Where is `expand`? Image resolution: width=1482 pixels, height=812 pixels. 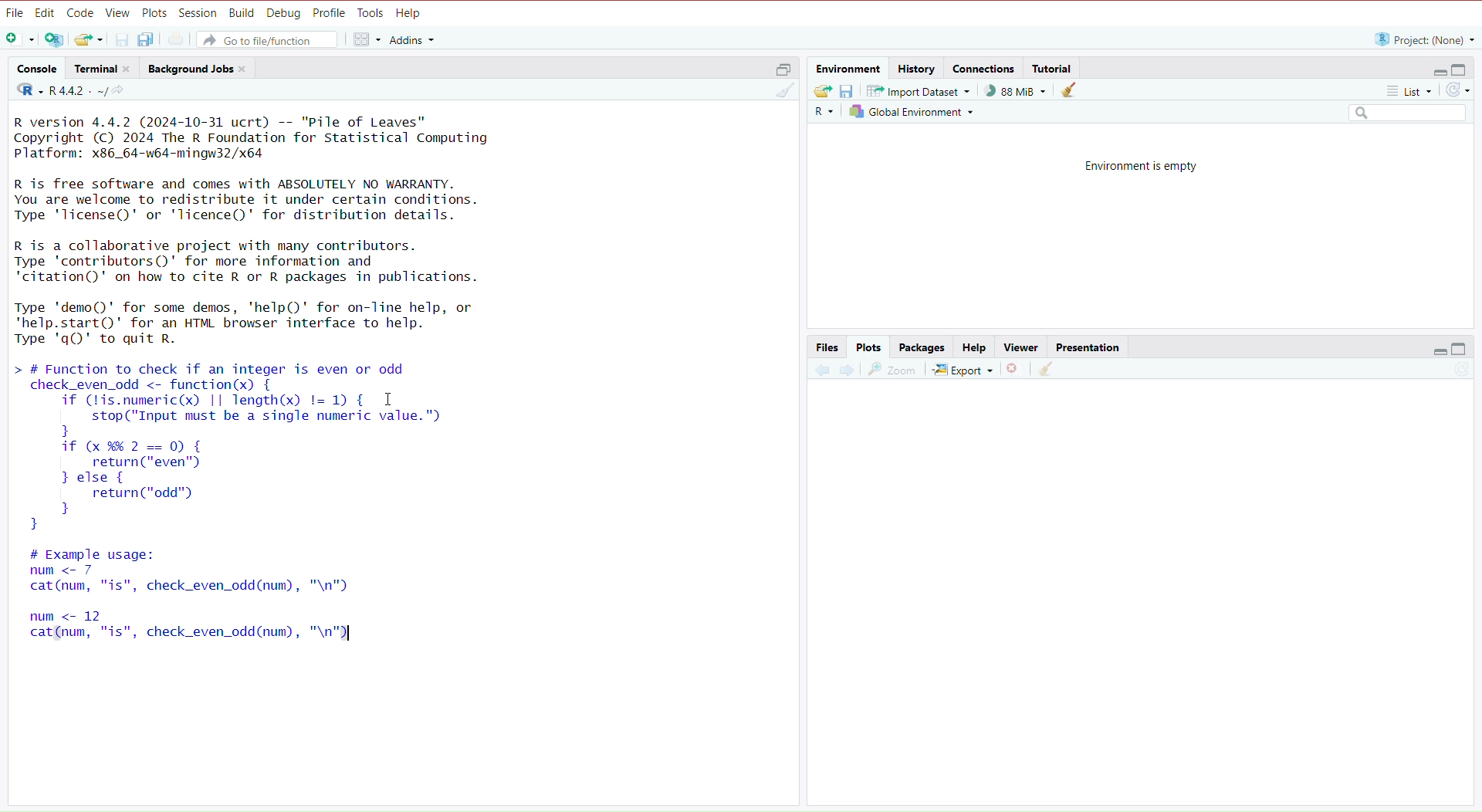 expand is located at coordinates (779, 72).